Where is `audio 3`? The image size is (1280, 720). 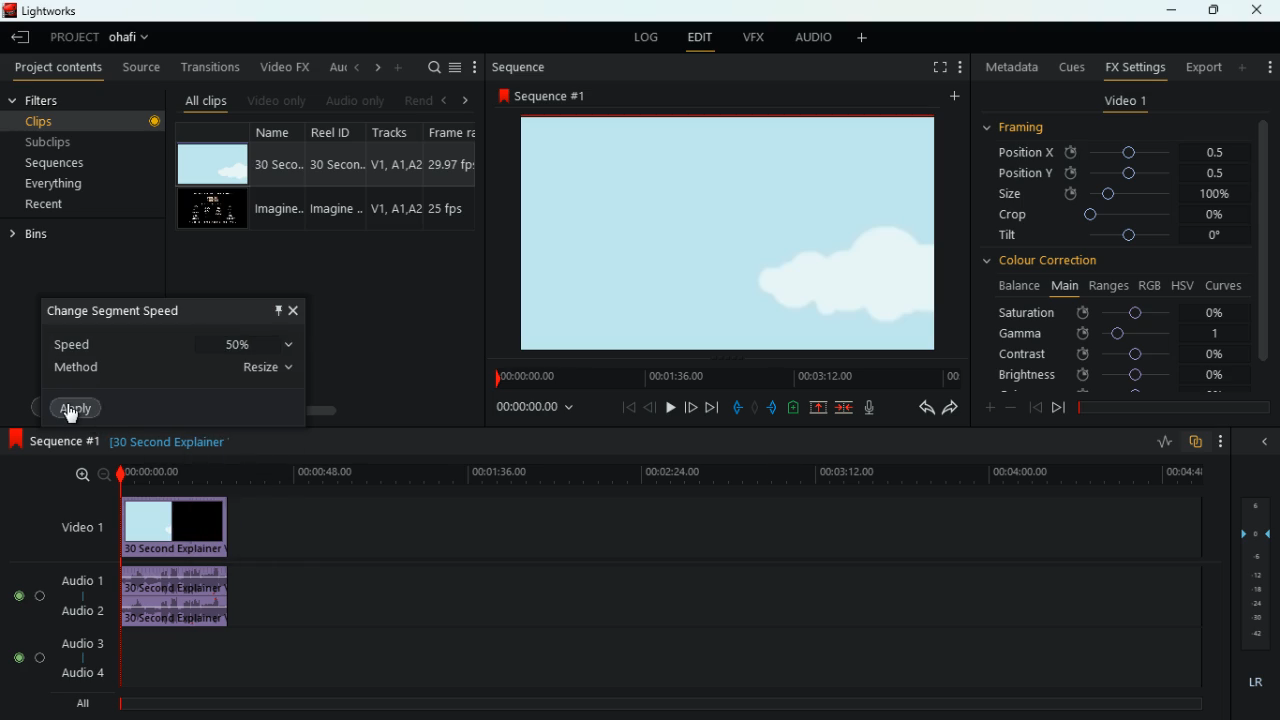
audio 3 is located at coordinates (77, 642).